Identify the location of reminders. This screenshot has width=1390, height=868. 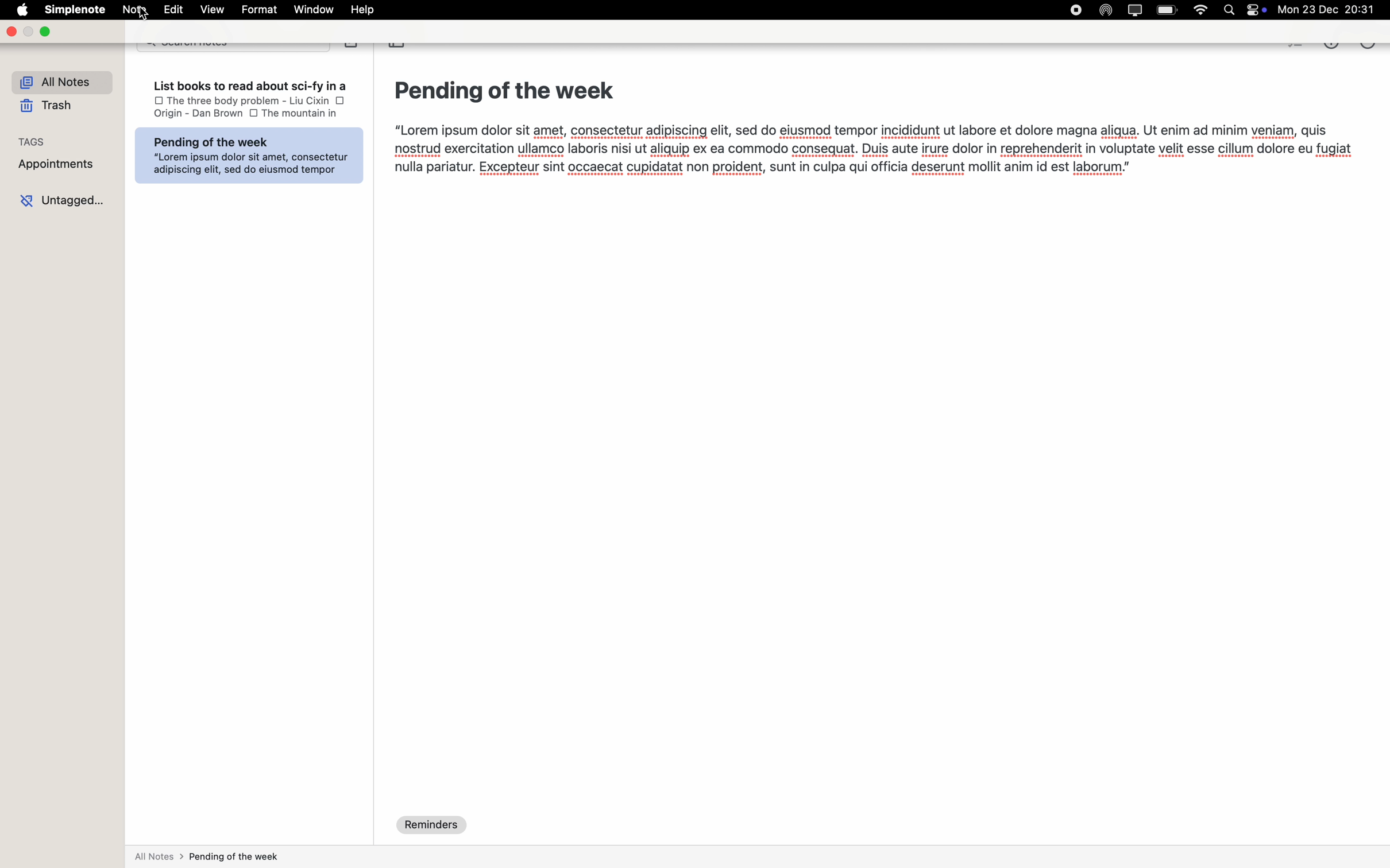
(433, 824).